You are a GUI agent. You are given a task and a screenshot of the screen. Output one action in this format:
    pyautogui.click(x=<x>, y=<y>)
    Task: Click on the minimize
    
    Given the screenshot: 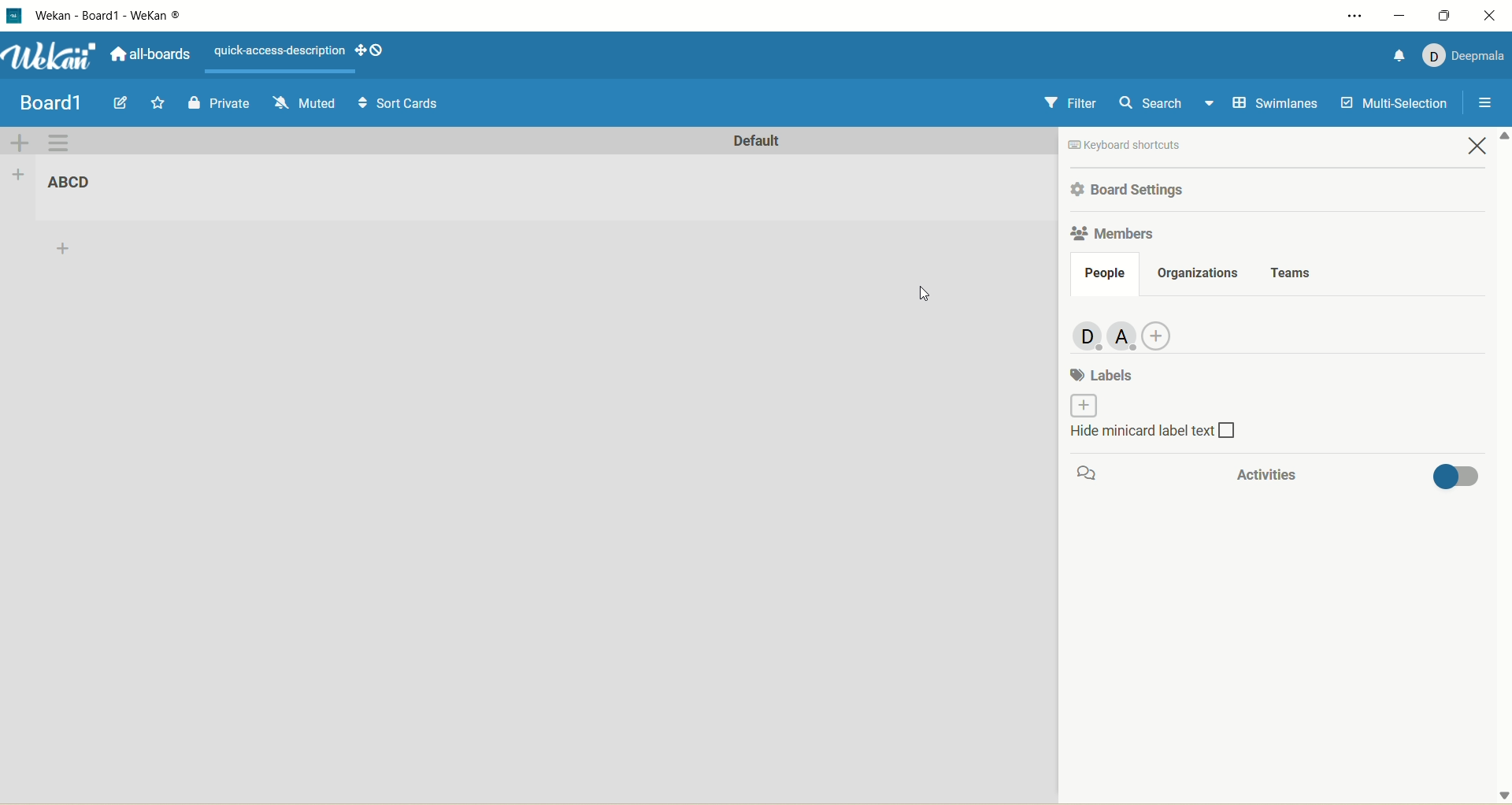 What is the action you would take?
    pyautogui.click(x=1397, y=15)
    